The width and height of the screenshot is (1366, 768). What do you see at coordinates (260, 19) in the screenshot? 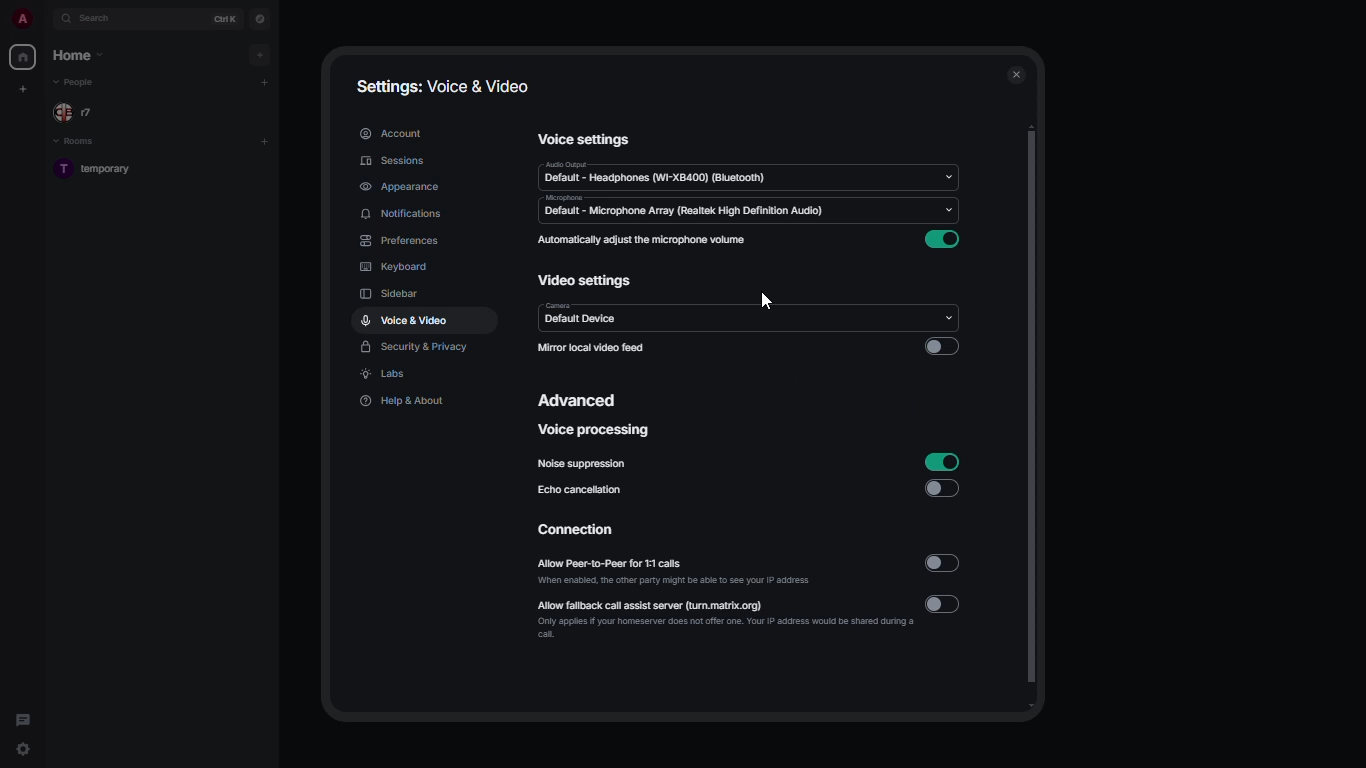
I see `navigator` at bounding box center [260, 19].